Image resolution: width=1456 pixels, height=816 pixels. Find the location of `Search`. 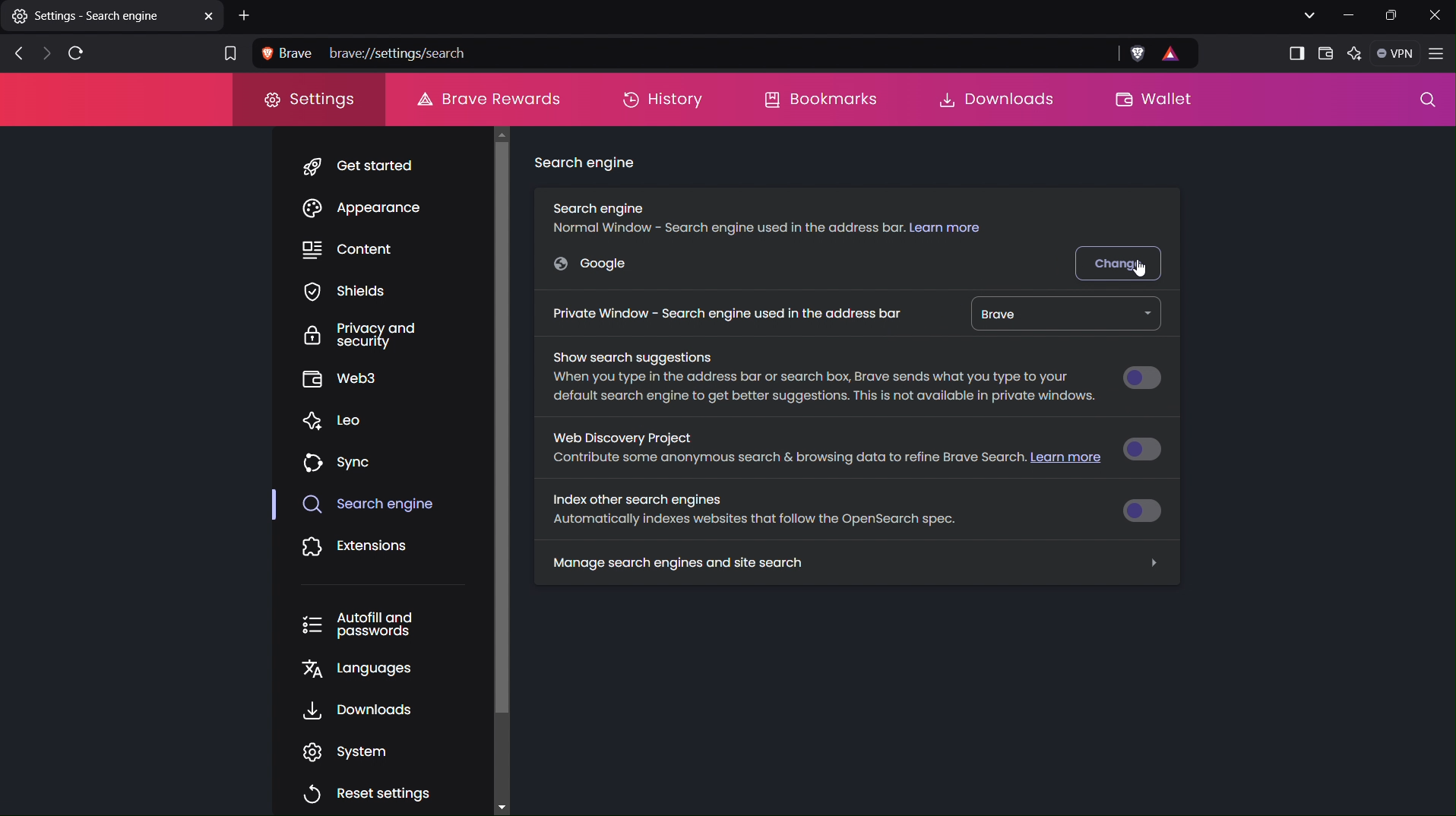

Search is located at coordinates (1423, 103).